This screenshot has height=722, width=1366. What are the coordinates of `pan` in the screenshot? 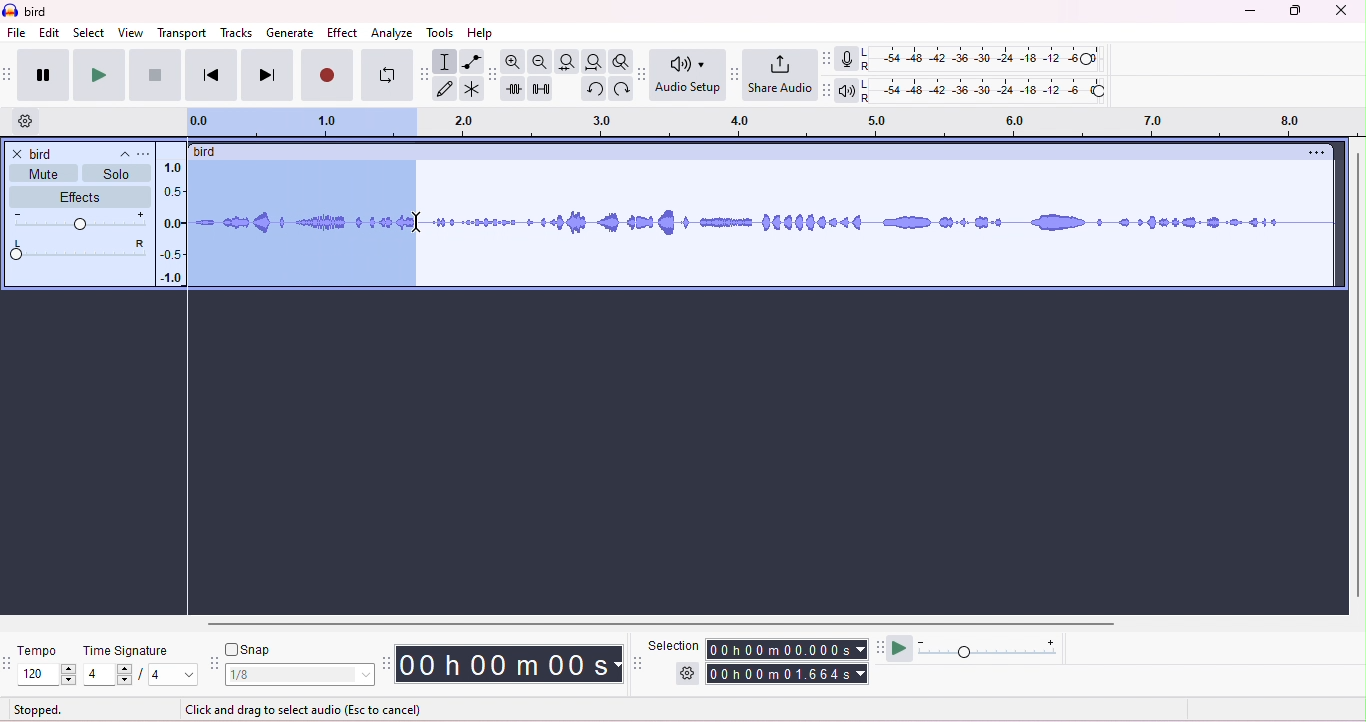 It's located at (79, 250).